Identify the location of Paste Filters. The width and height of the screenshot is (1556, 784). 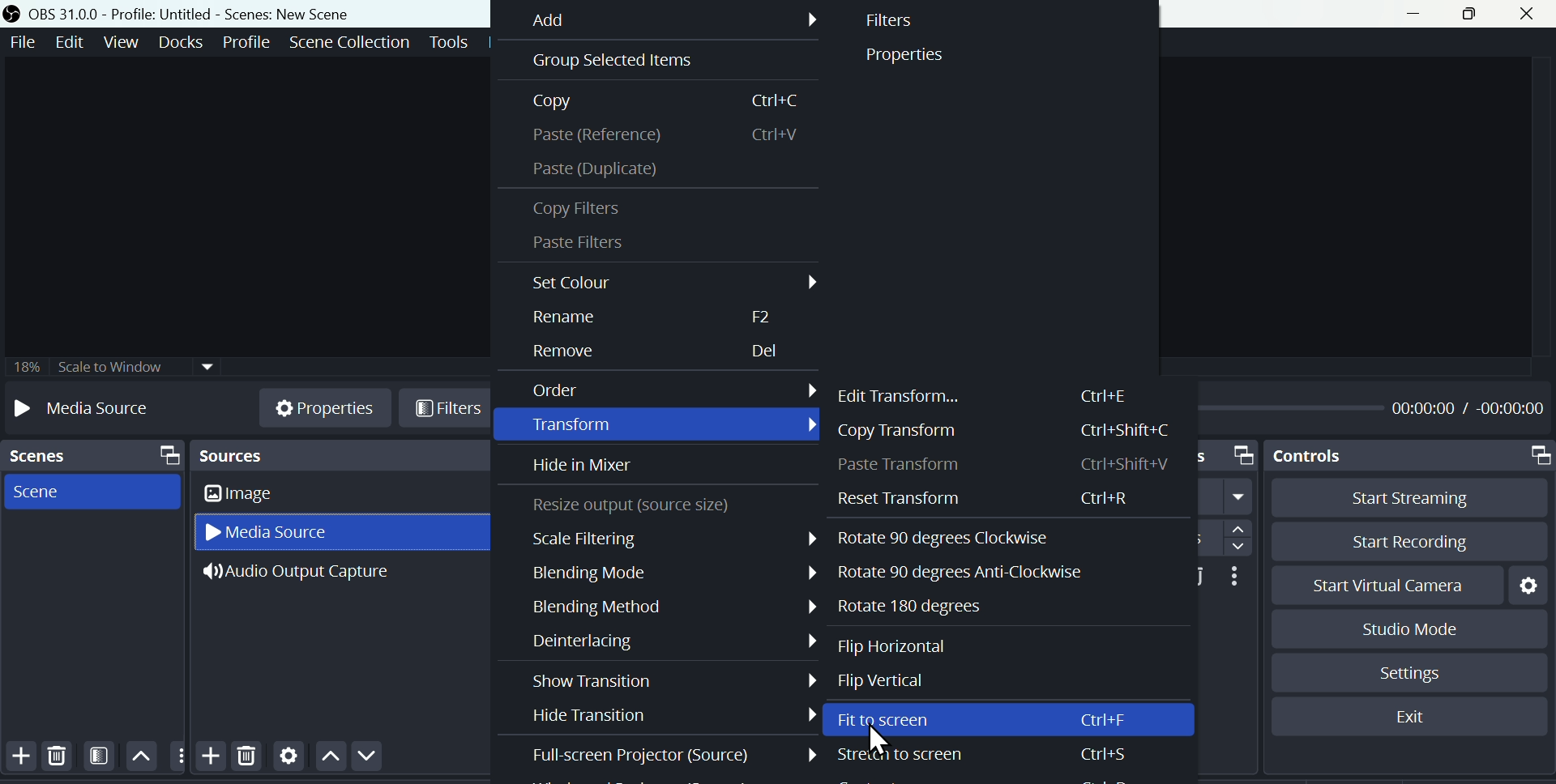
(591, 242).